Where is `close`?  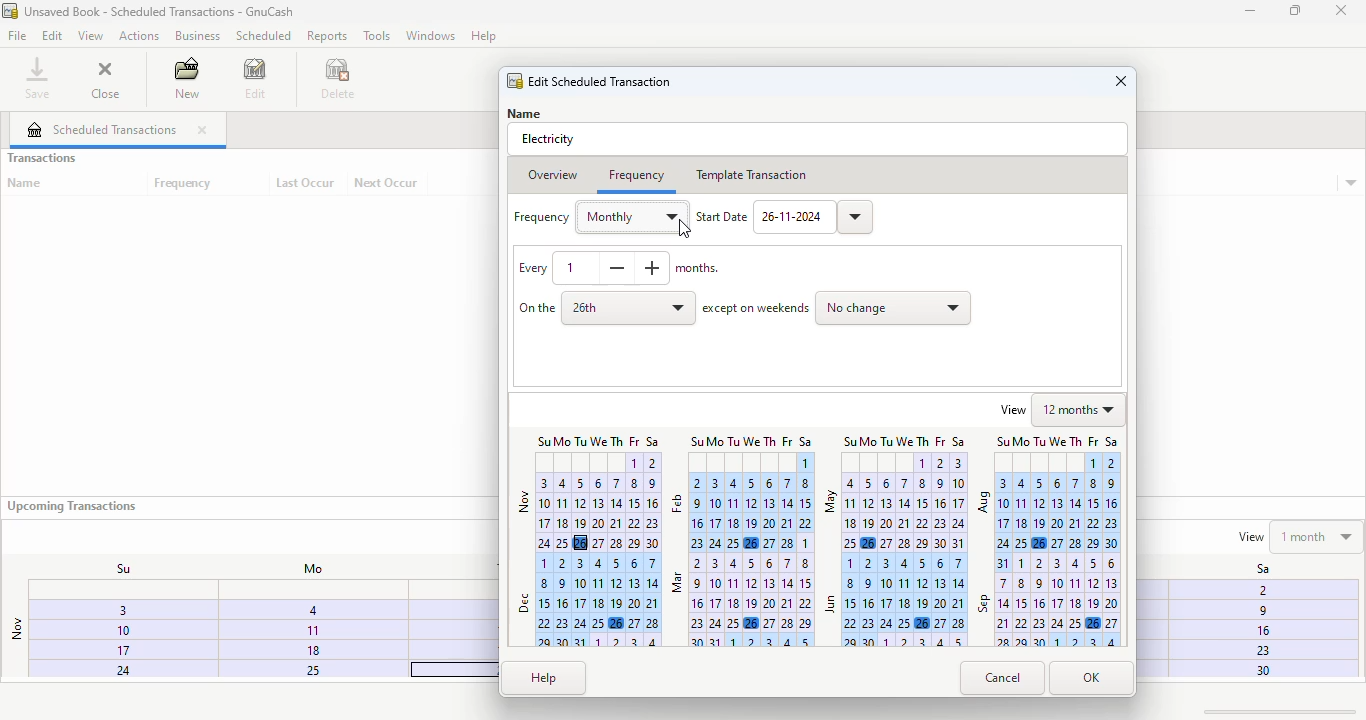 close is located at coordinates (1121, 81).